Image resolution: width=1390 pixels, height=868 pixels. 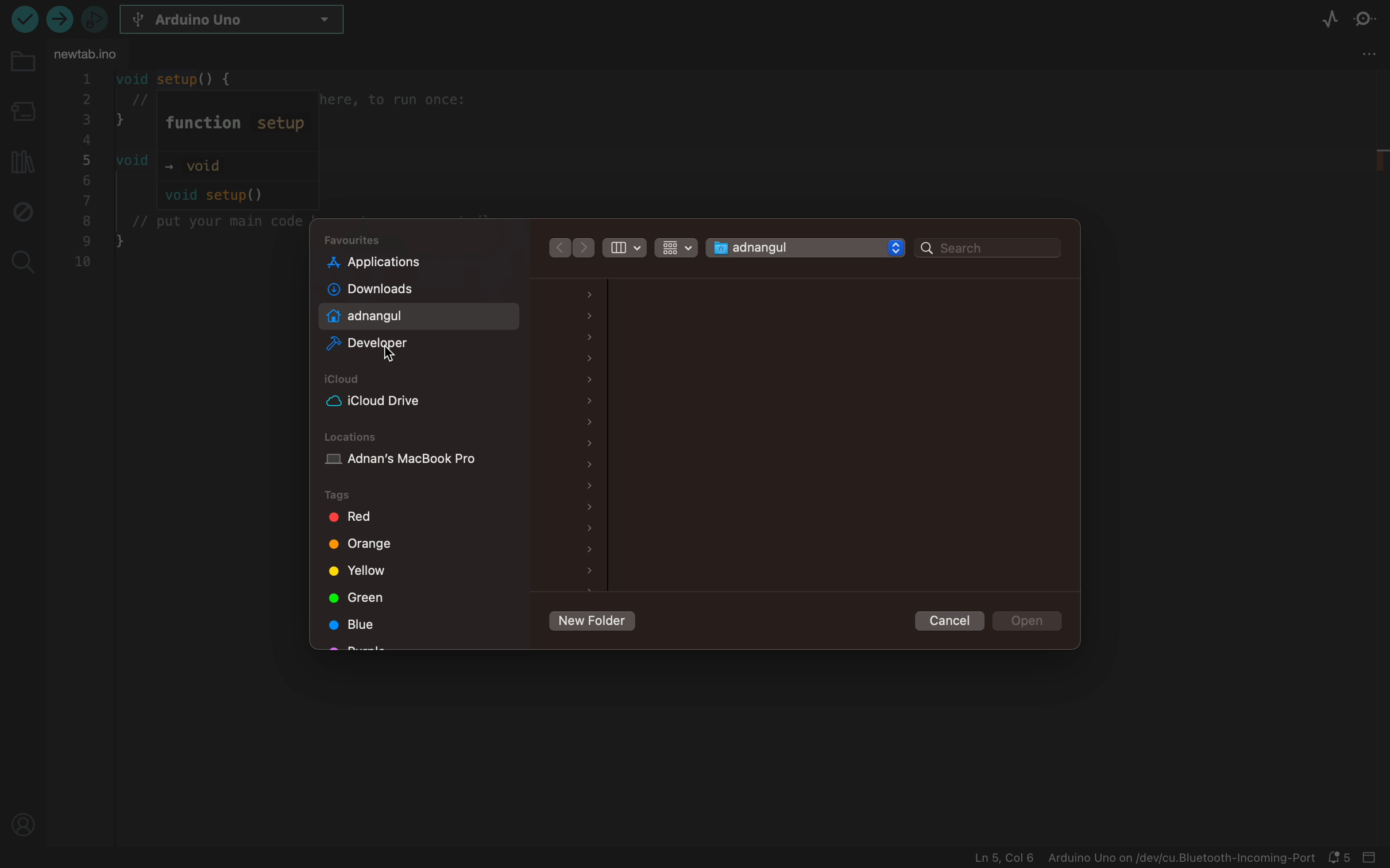 I want to click on debugger, so click(x=94, y=18).